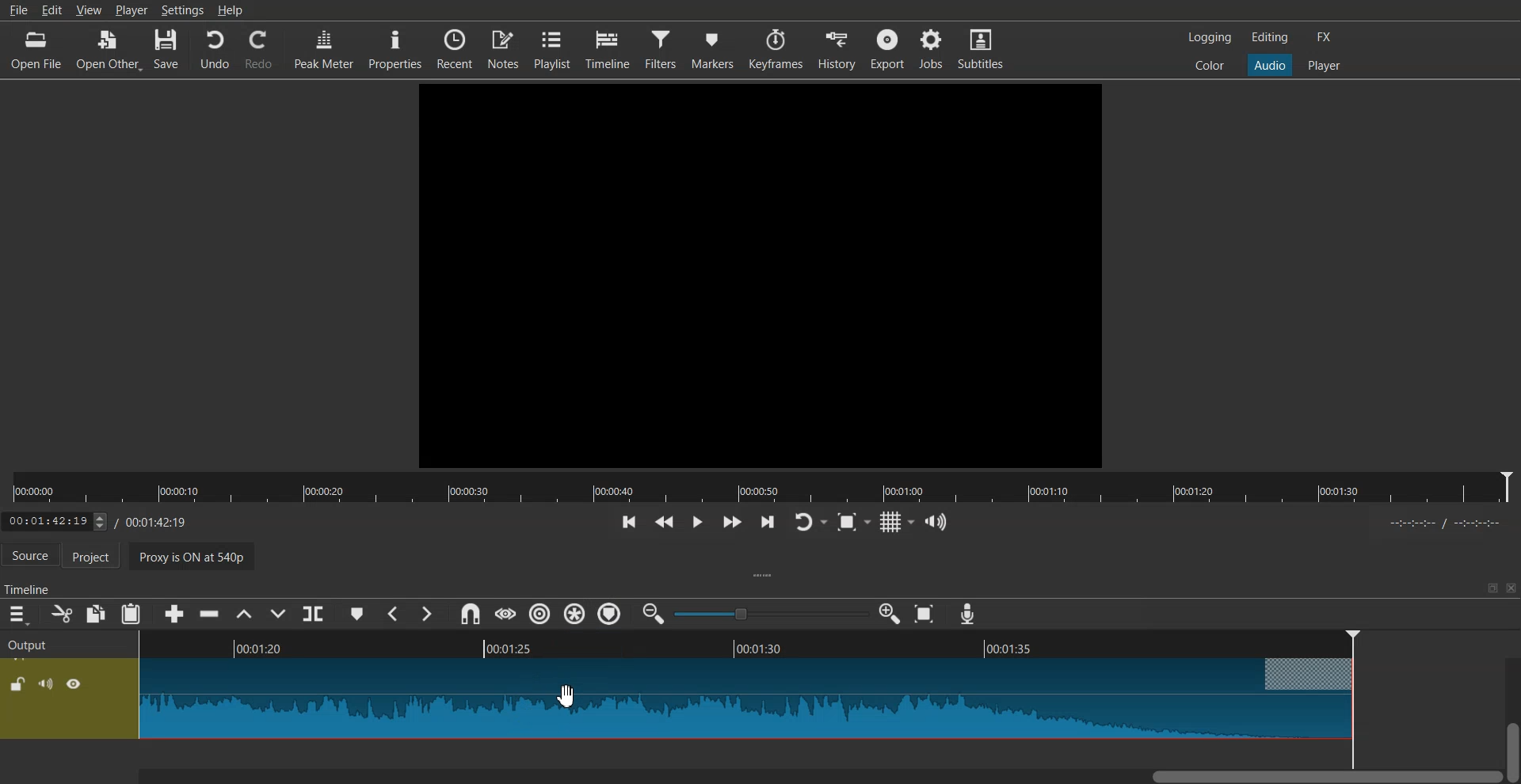  What do you see at coordinates (314, 614) in the screenshot?
I see `Split on playhead` at bounding box center [314, 614].